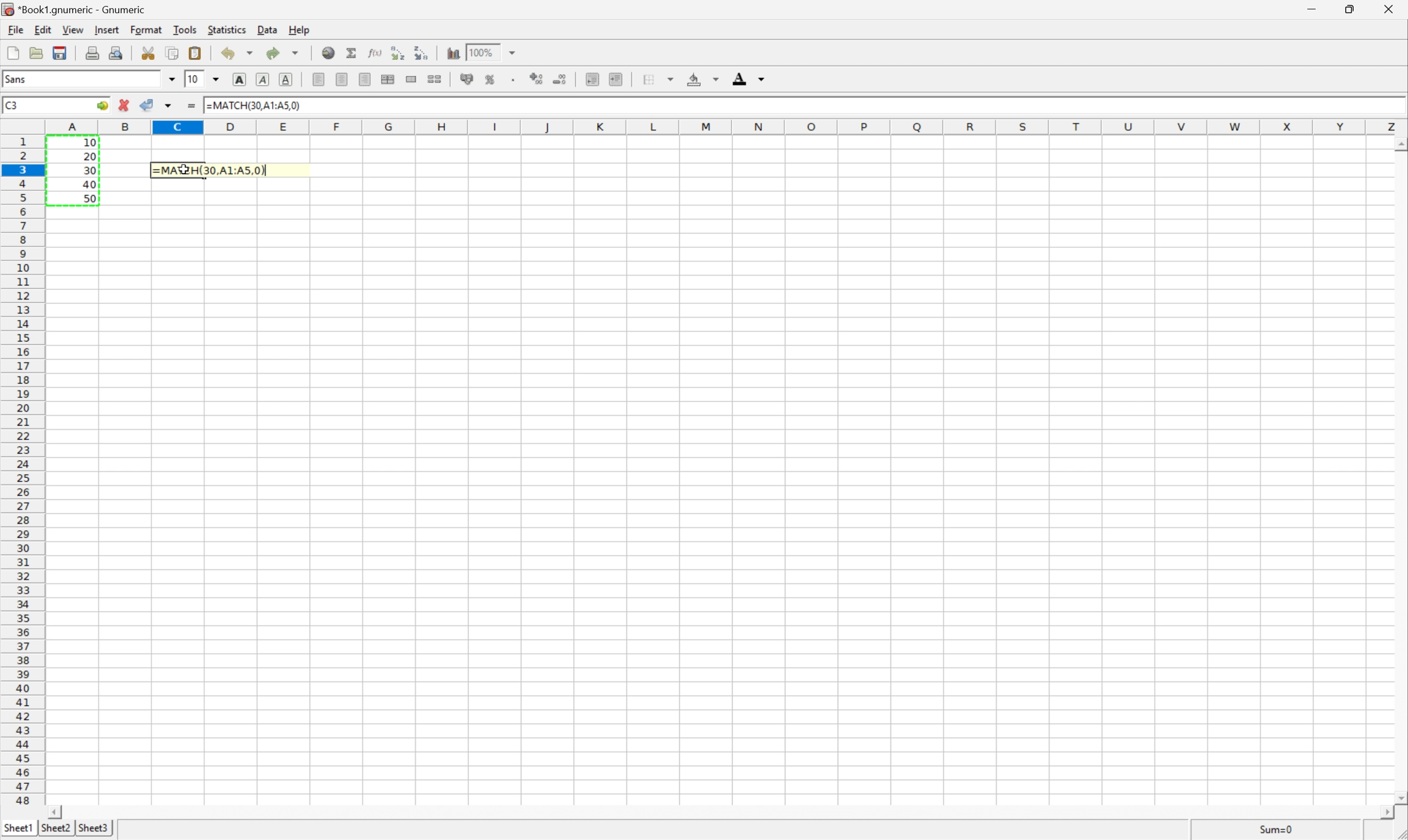 This screenshot has height=840, width=1408. Describe the element at coordinates (648, 79) in the screenshot. I see `Borders` at that location.